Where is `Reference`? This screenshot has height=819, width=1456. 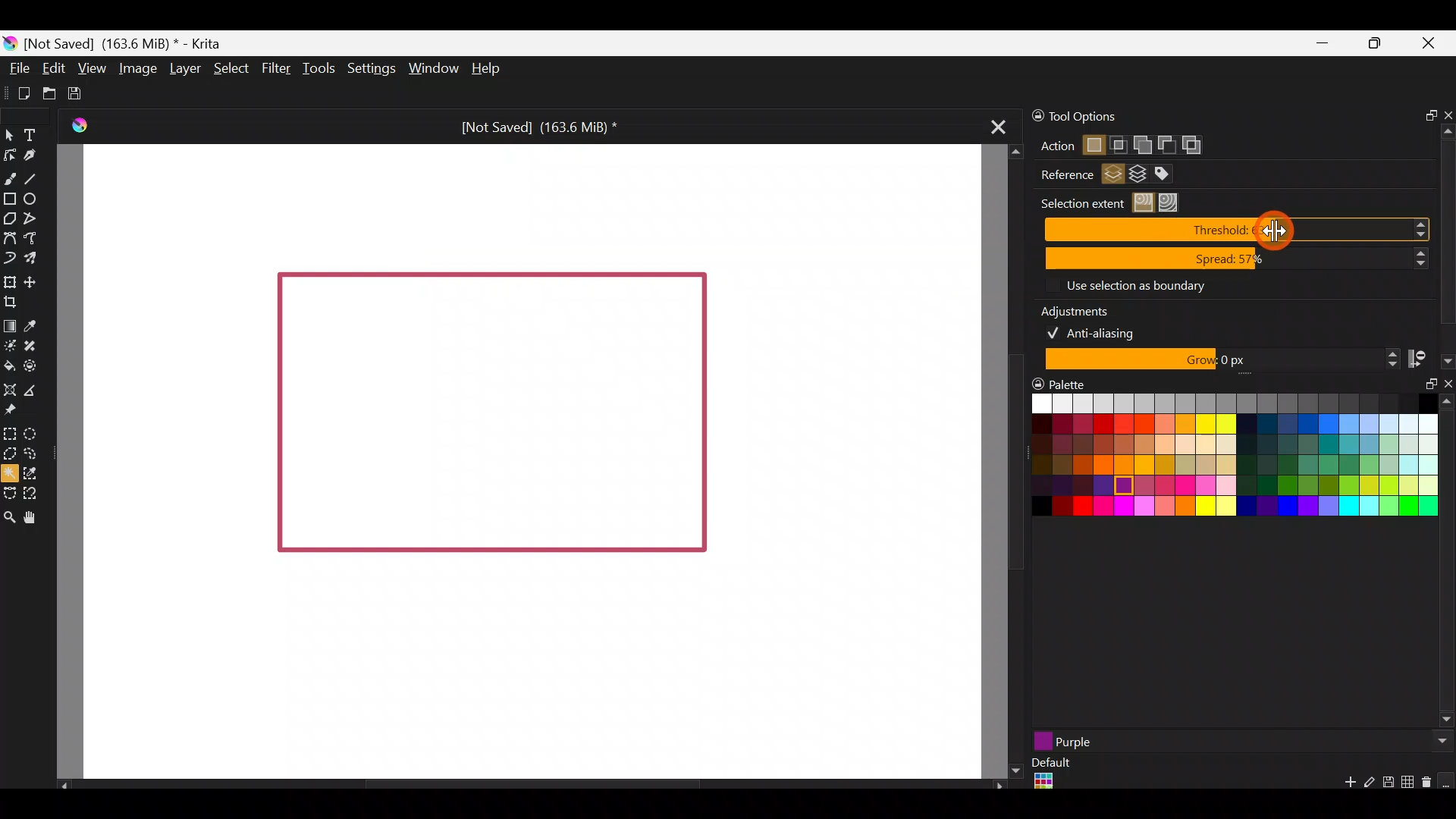
Reference is located at coordinates (1061, 175).